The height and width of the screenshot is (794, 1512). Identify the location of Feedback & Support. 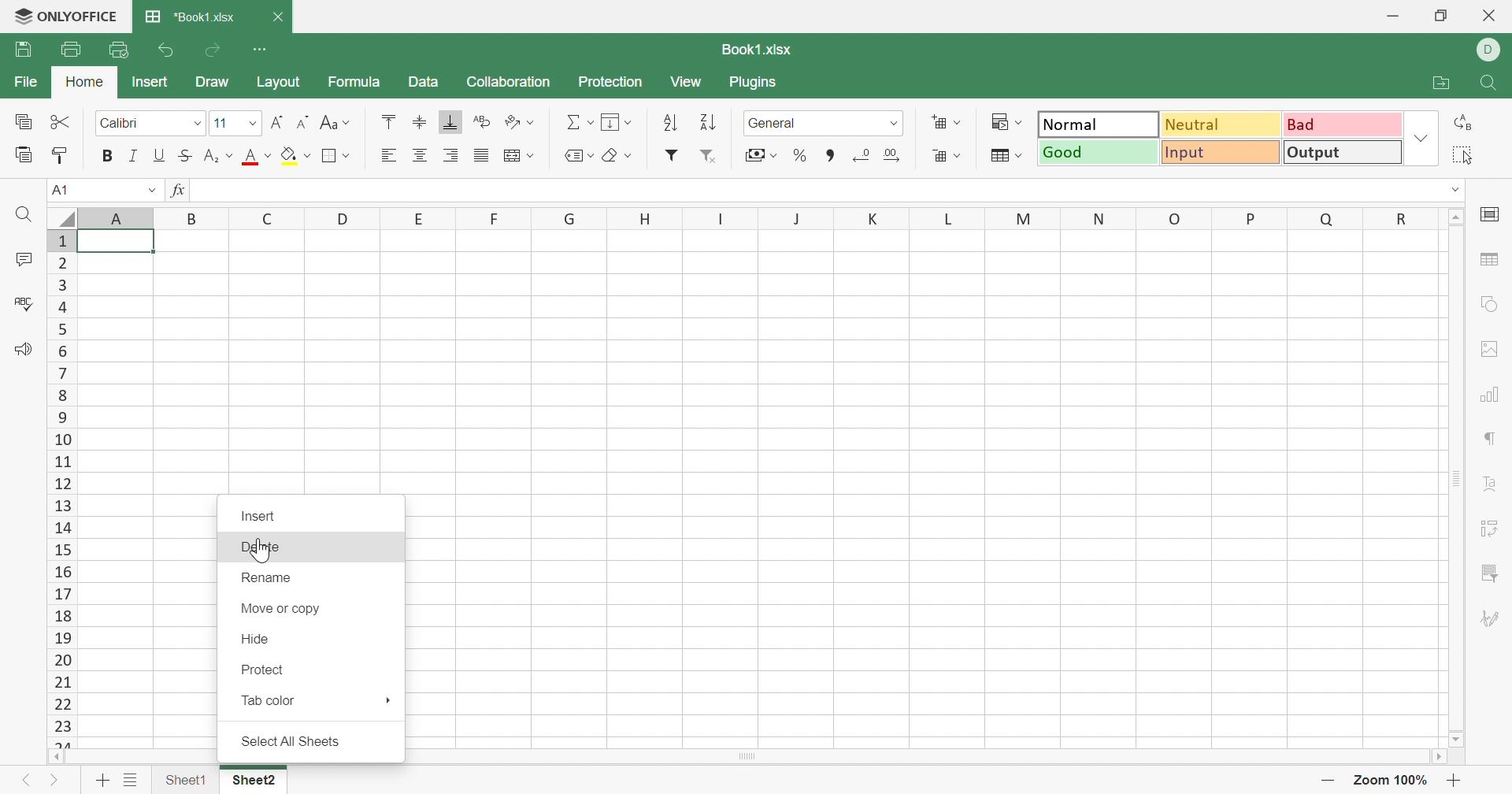
(26, 350).